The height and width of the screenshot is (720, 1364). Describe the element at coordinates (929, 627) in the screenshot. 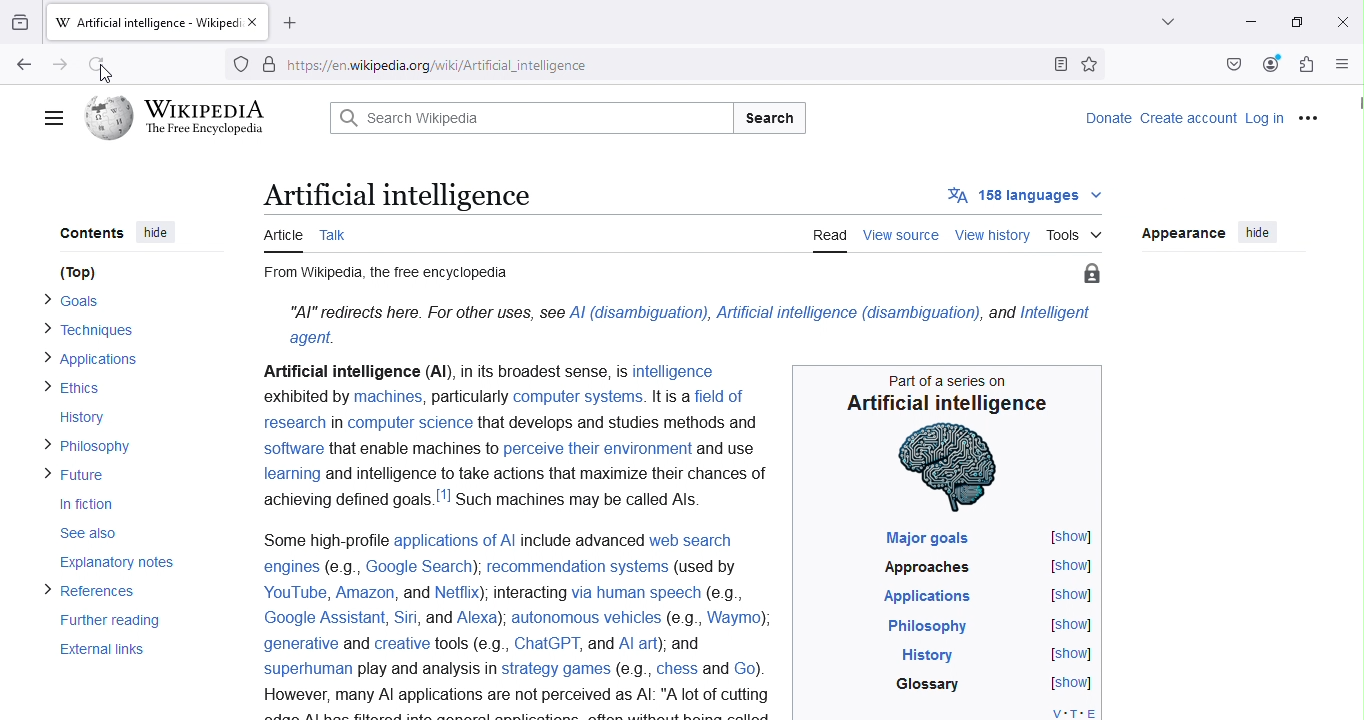

I see `Philosophy` at that location.